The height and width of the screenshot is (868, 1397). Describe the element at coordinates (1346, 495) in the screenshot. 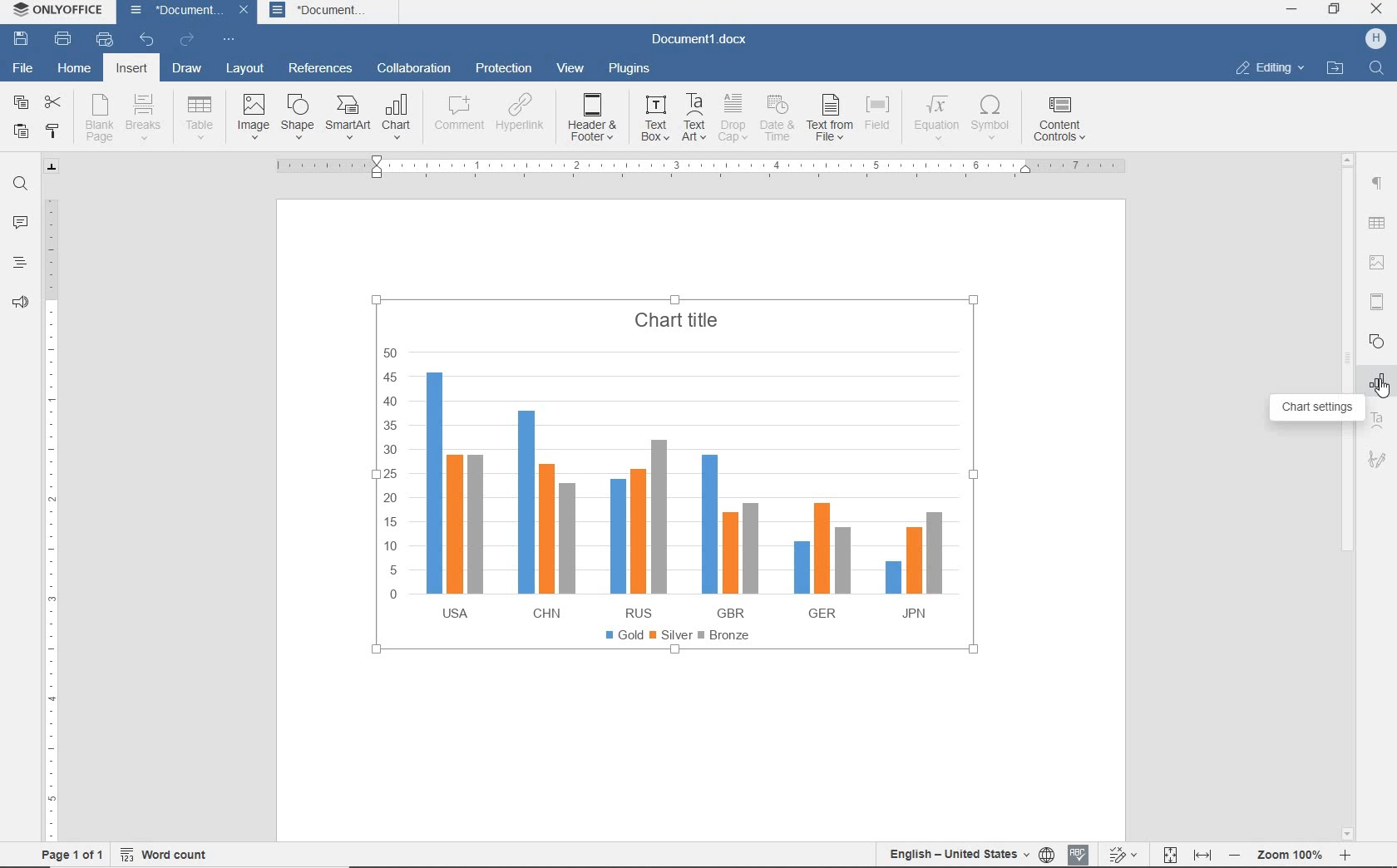

I see `scrollbar` at that location.